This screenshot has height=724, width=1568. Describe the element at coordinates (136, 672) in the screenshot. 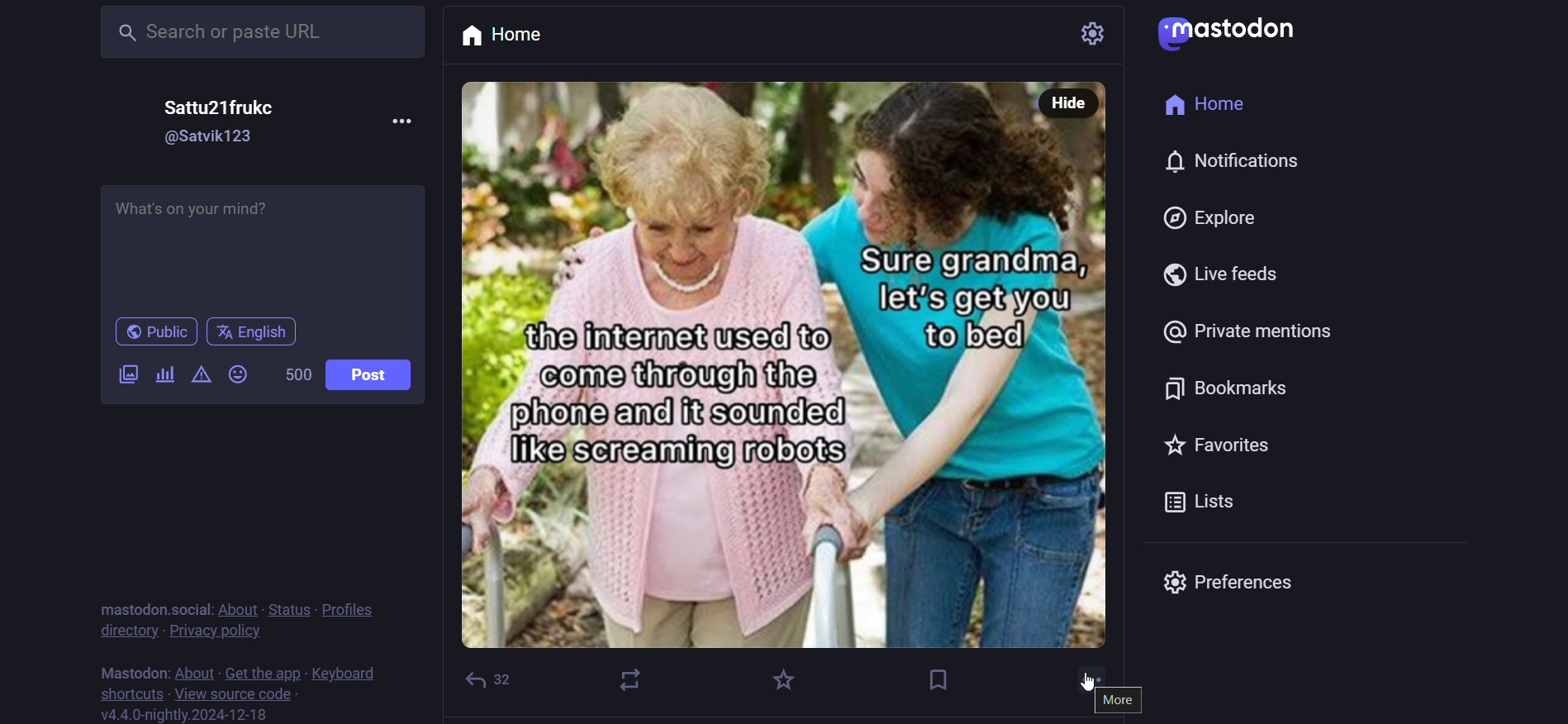

I see `mastodon` at that location.